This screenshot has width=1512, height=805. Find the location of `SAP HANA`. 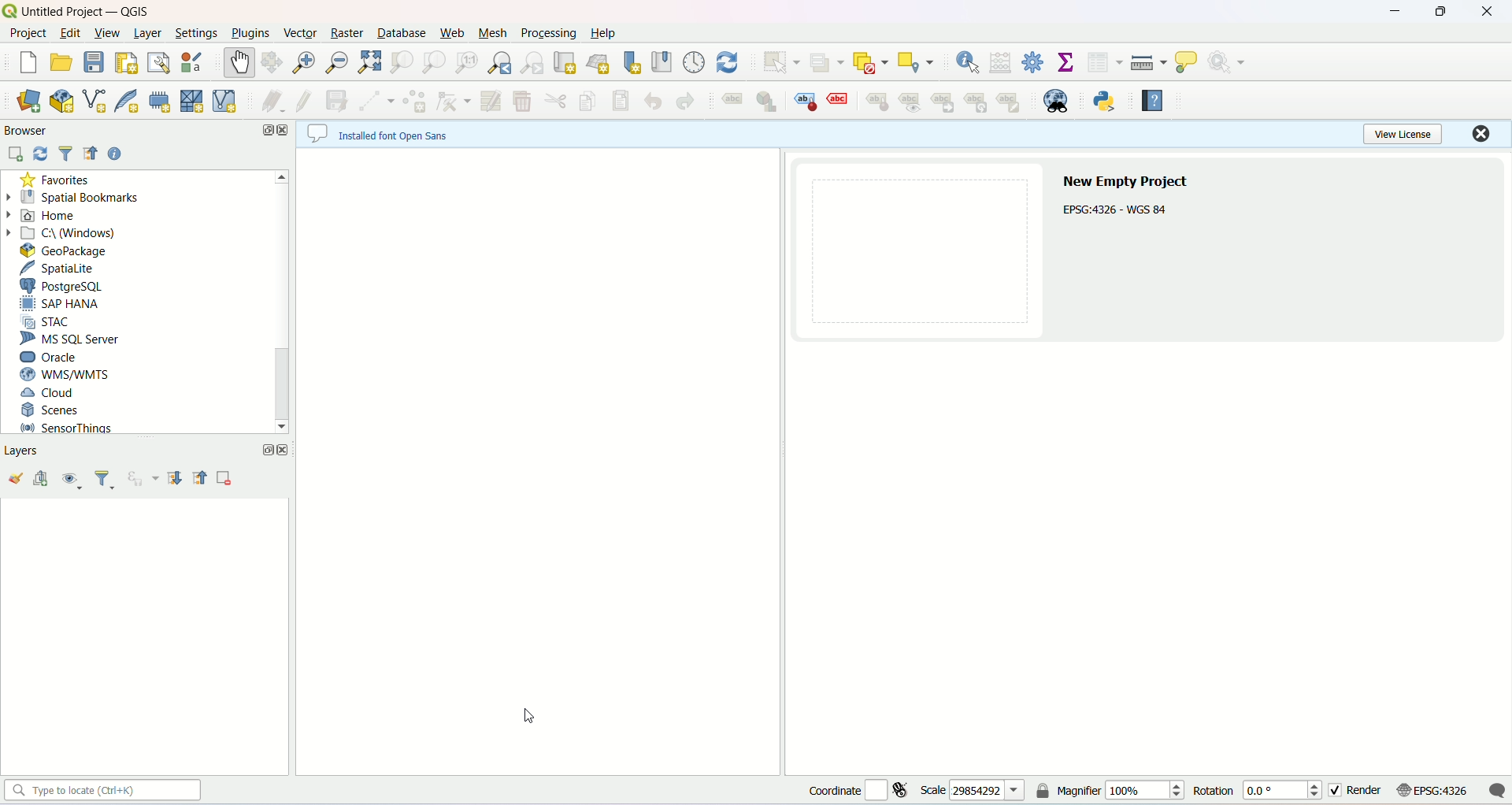

SAP HANA is located at coordinates (60, 304).